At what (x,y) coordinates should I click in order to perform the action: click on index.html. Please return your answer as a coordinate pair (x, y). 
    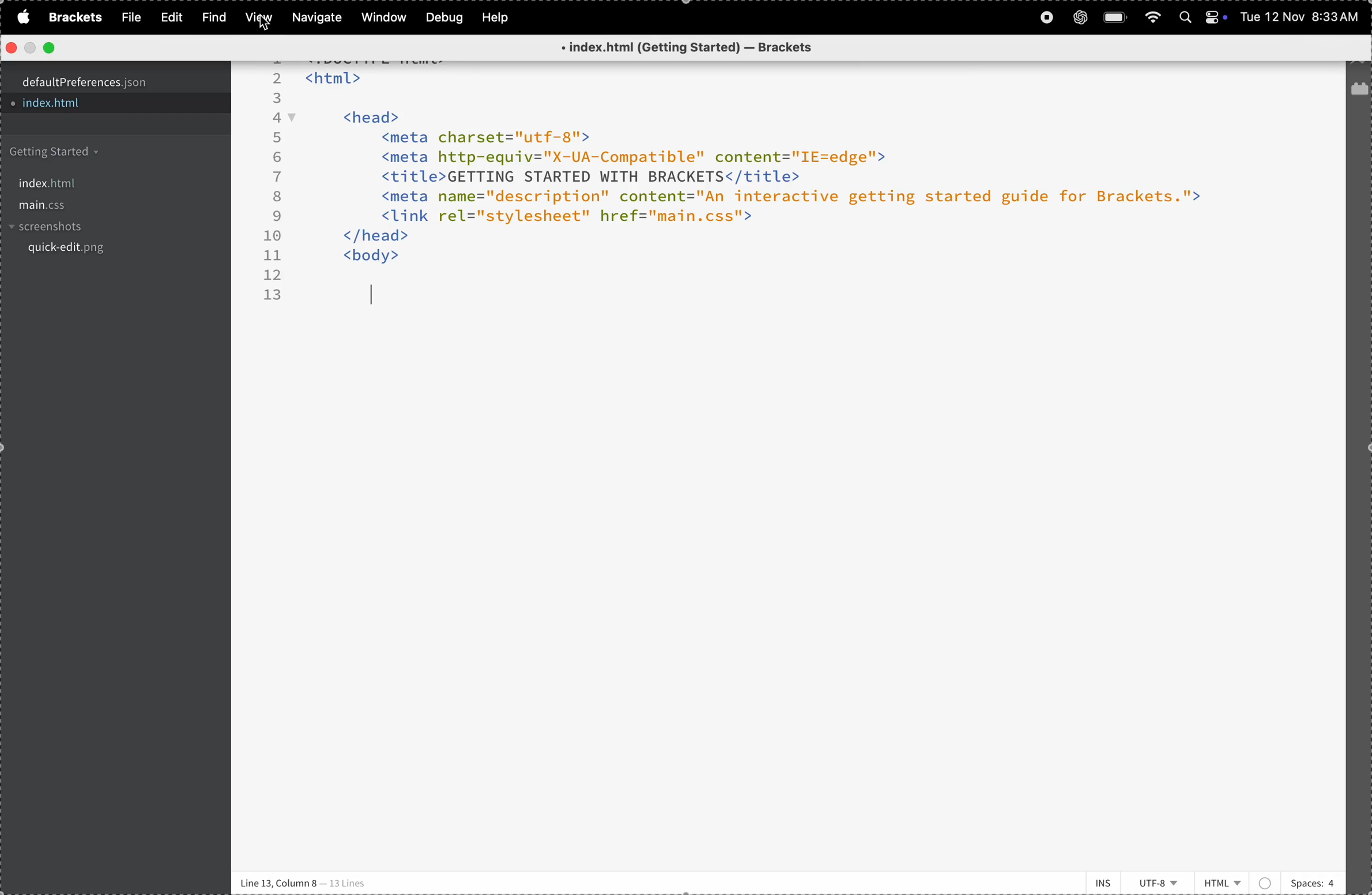
    Looking at the image, I should click on (91, 180).